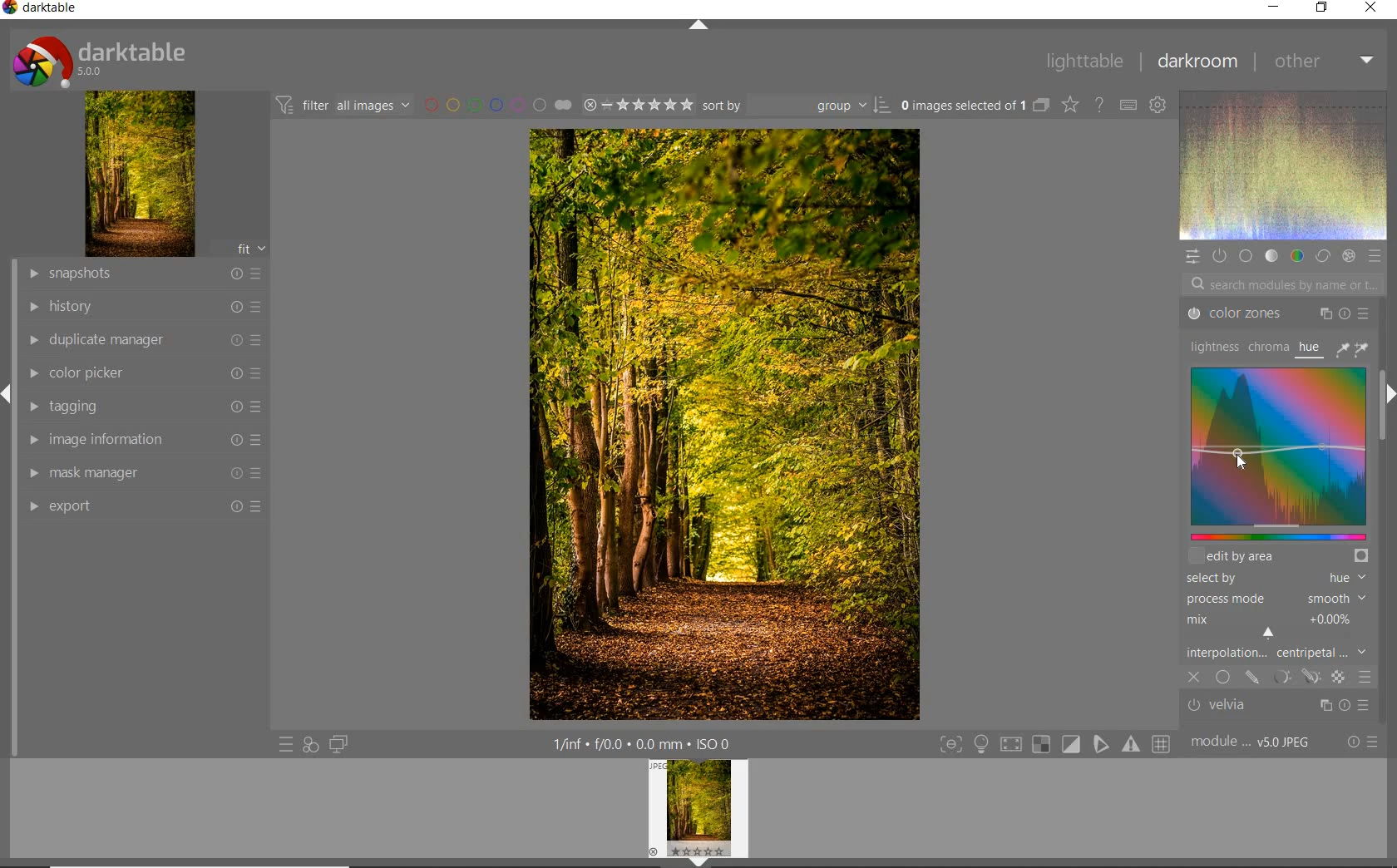 Image resolution: width=1397 pixels, height=868 pixels. What do you see at coordinates (1281, 598) in the screenshot?
I see `process mode` at bounding box center [1281, 598].